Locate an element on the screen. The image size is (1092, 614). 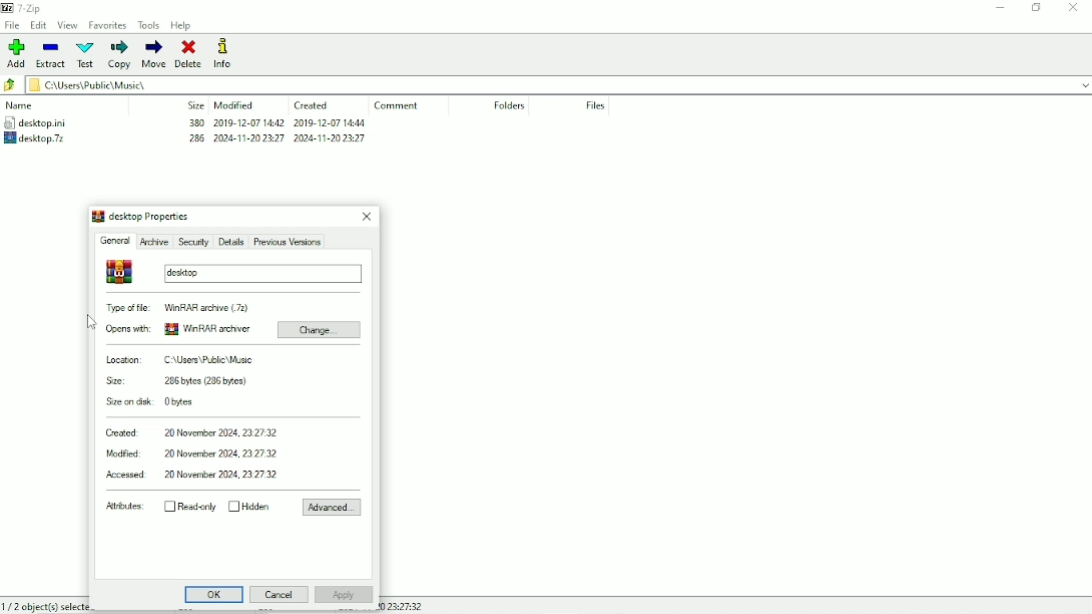
Modified is located at coordinates (234, 105).